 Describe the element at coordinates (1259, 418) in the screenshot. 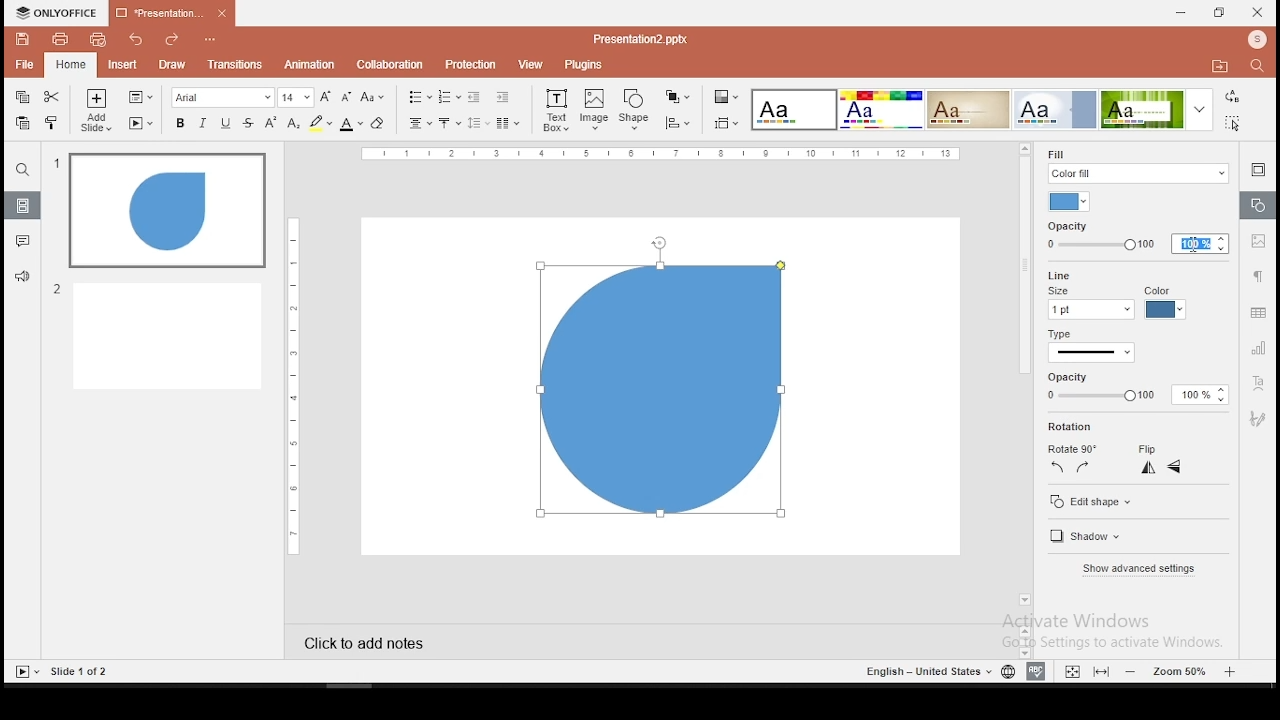

I see `` at that location.